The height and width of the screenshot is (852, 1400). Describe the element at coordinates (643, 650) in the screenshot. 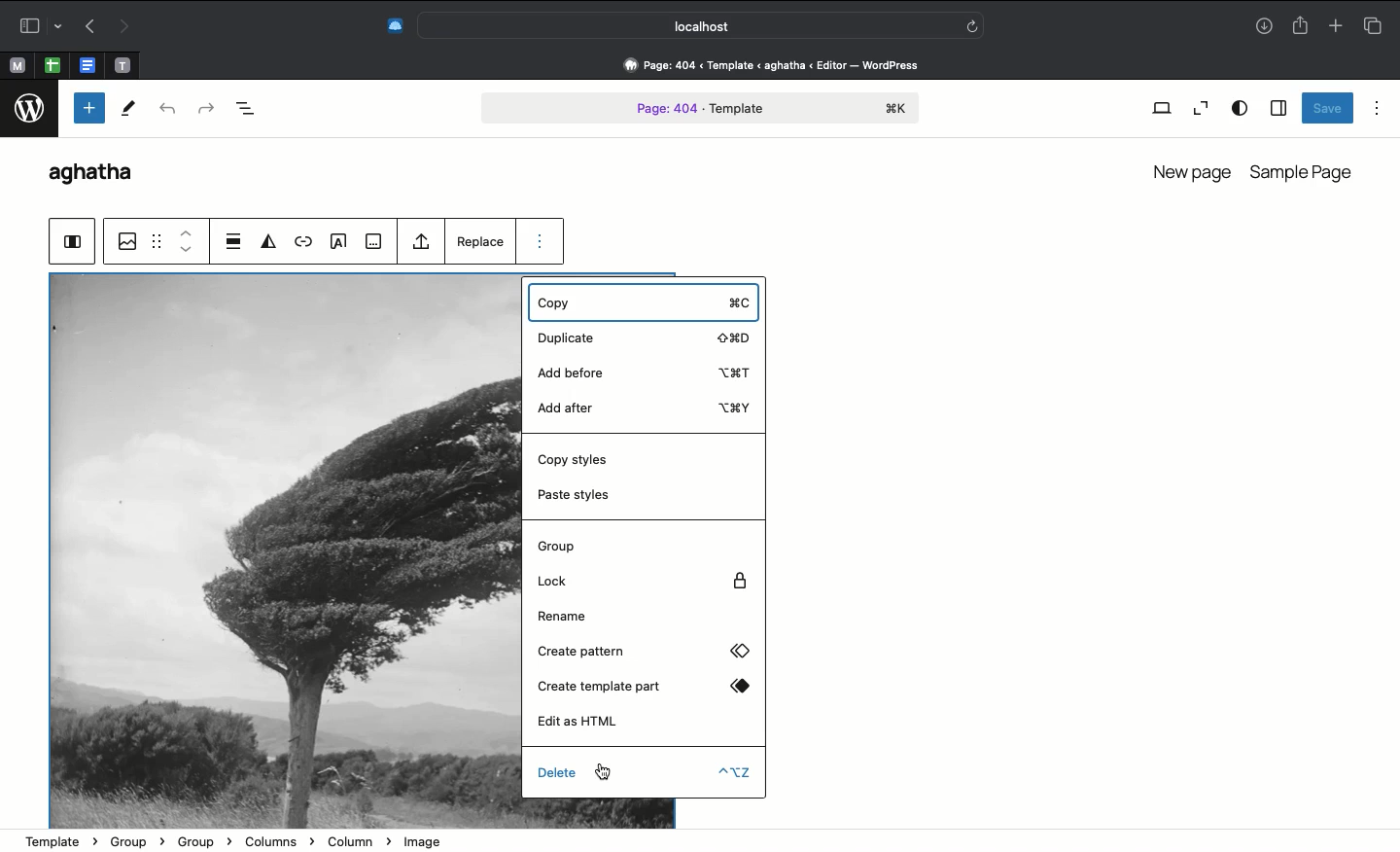

I see `Create pattern` at that location.